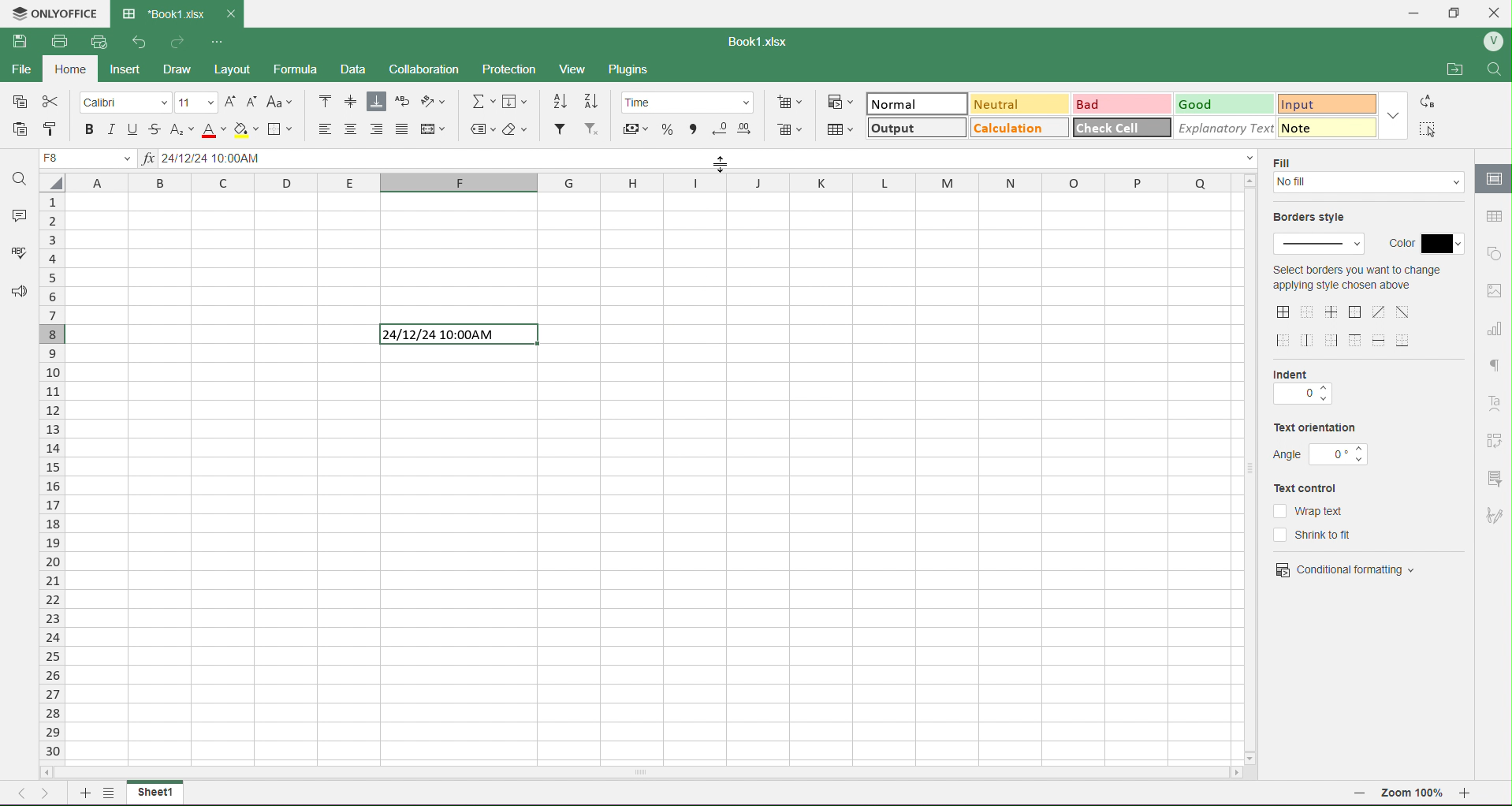  What do you see at coordinates (434, 69) in the screenshot?
I see `Collaboration` at bounding box center [434, 69].